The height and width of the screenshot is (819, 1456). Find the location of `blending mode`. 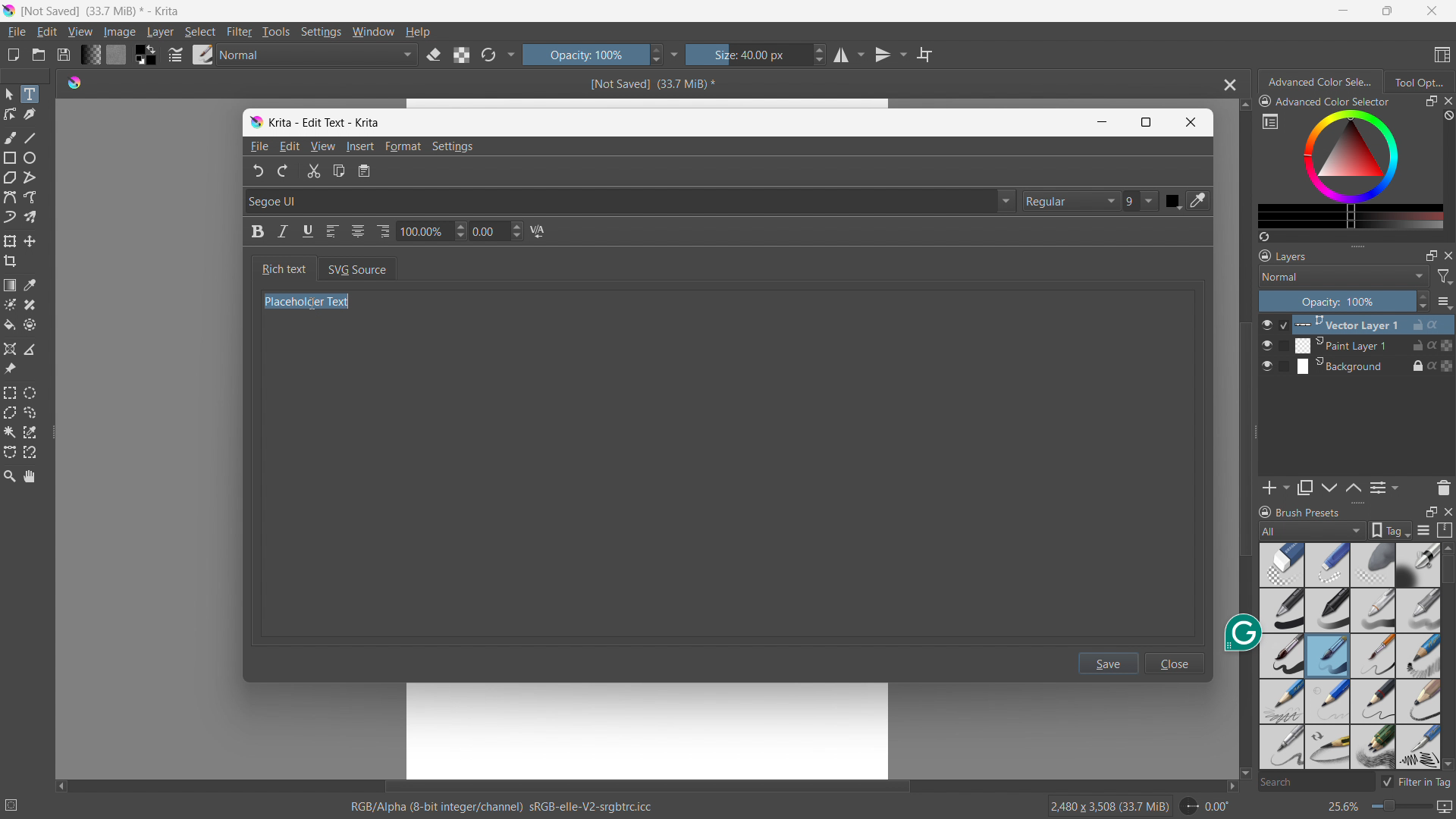

blending mode is located at coordinates (1344, 276).